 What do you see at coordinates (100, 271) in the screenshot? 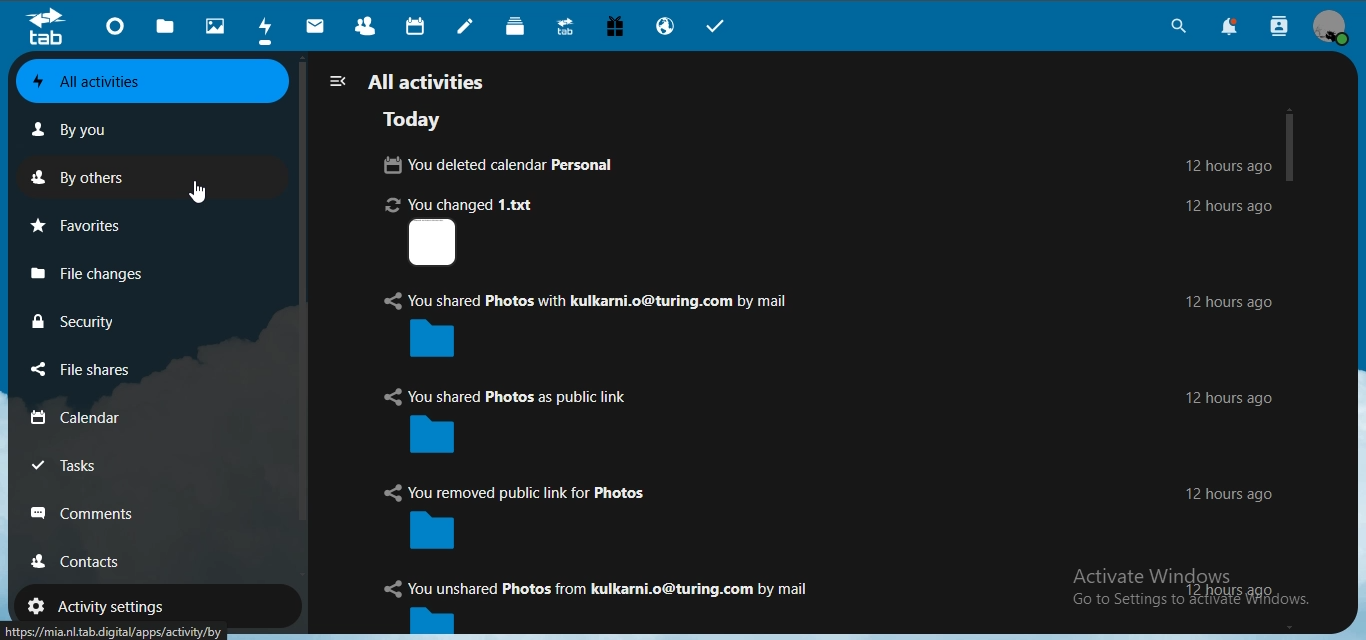
I see `file changes` at bounding box center [100, 271].